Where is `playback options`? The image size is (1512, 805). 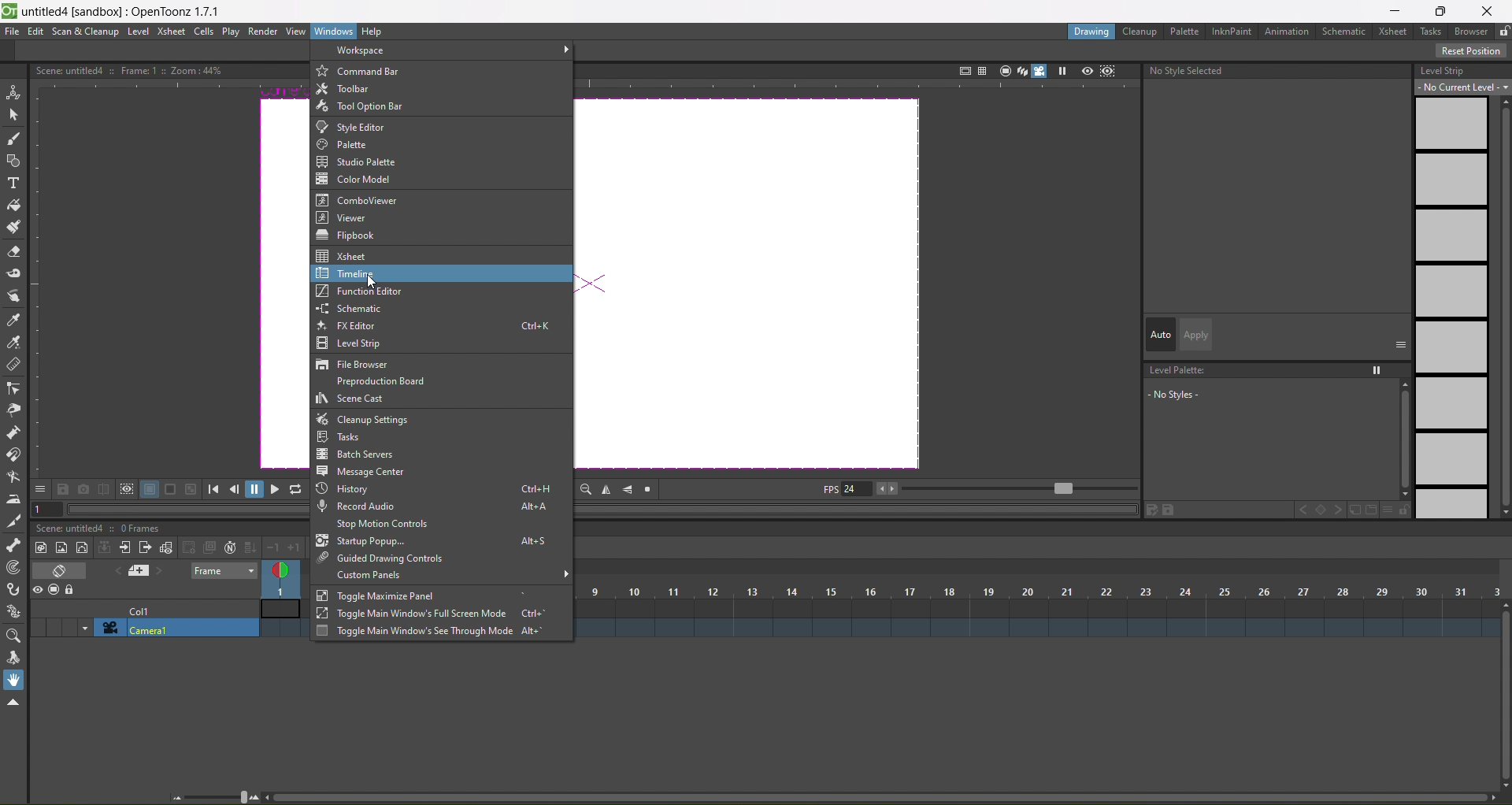 playback options is located at coordinates (259, 492).